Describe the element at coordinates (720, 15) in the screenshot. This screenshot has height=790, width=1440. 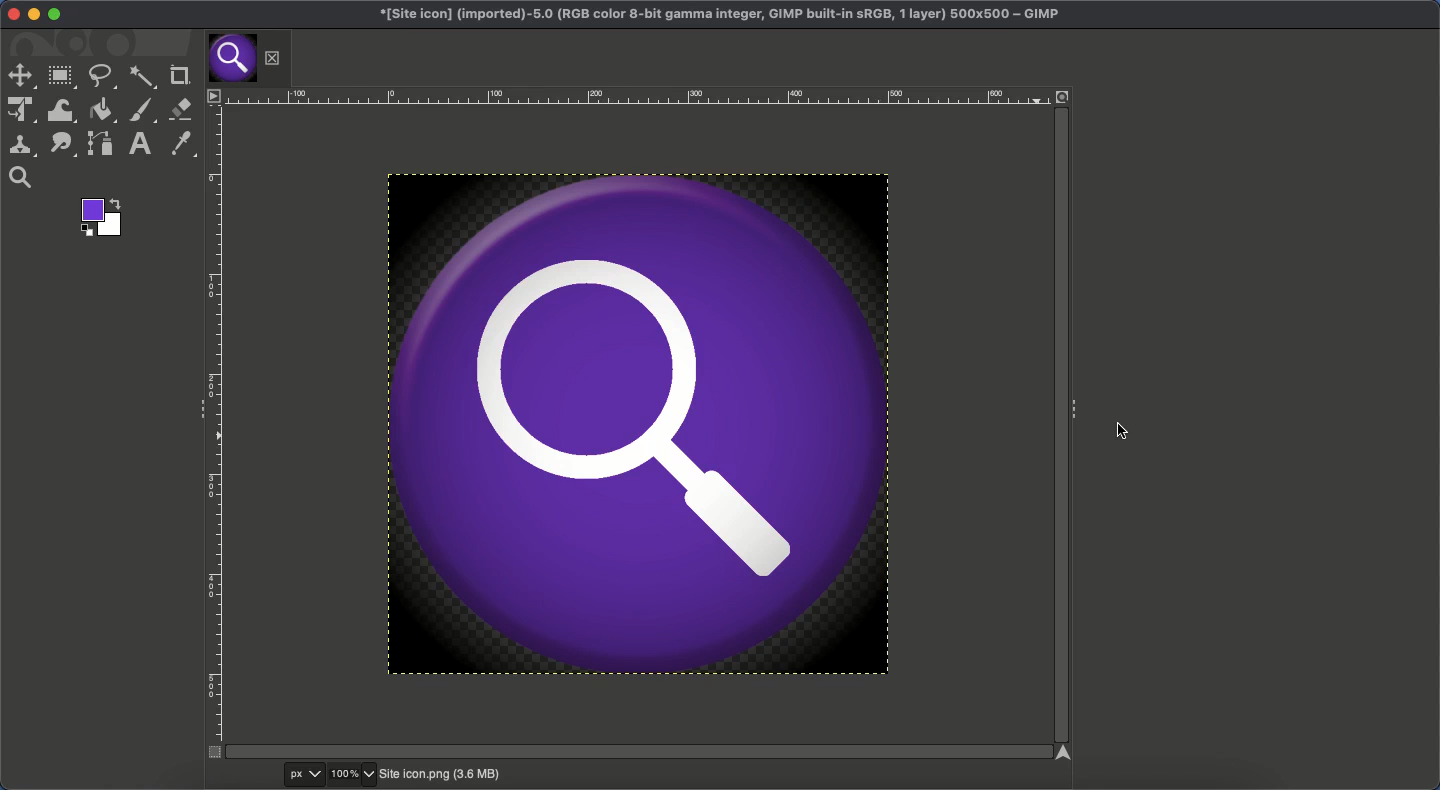
I see `Project GIMP` at that location.